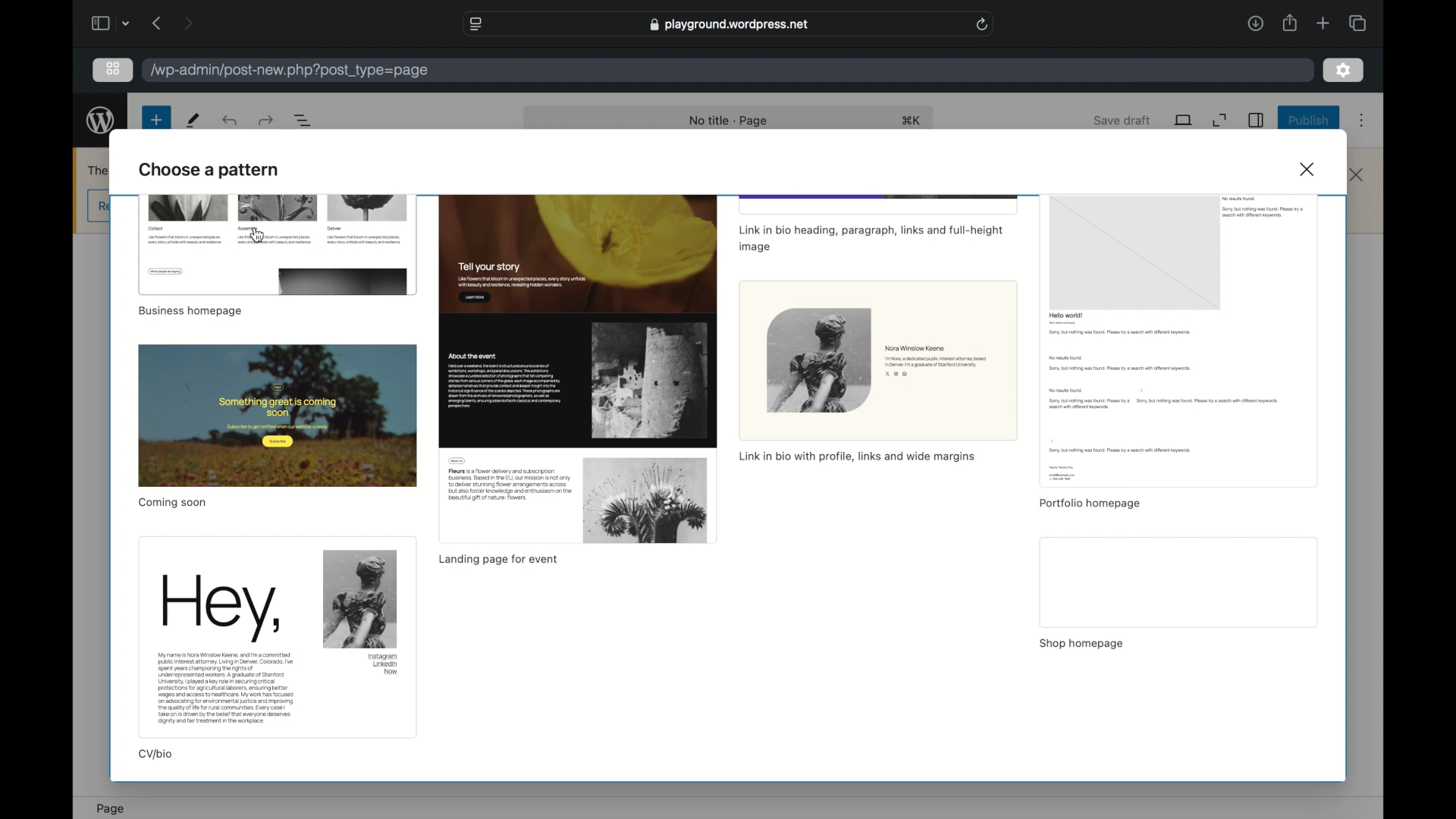 The width and height of the screenshot is (1456, 819). I want to click on link in bio heading, paragraph, links and full heigh  image, so click(871, 240).